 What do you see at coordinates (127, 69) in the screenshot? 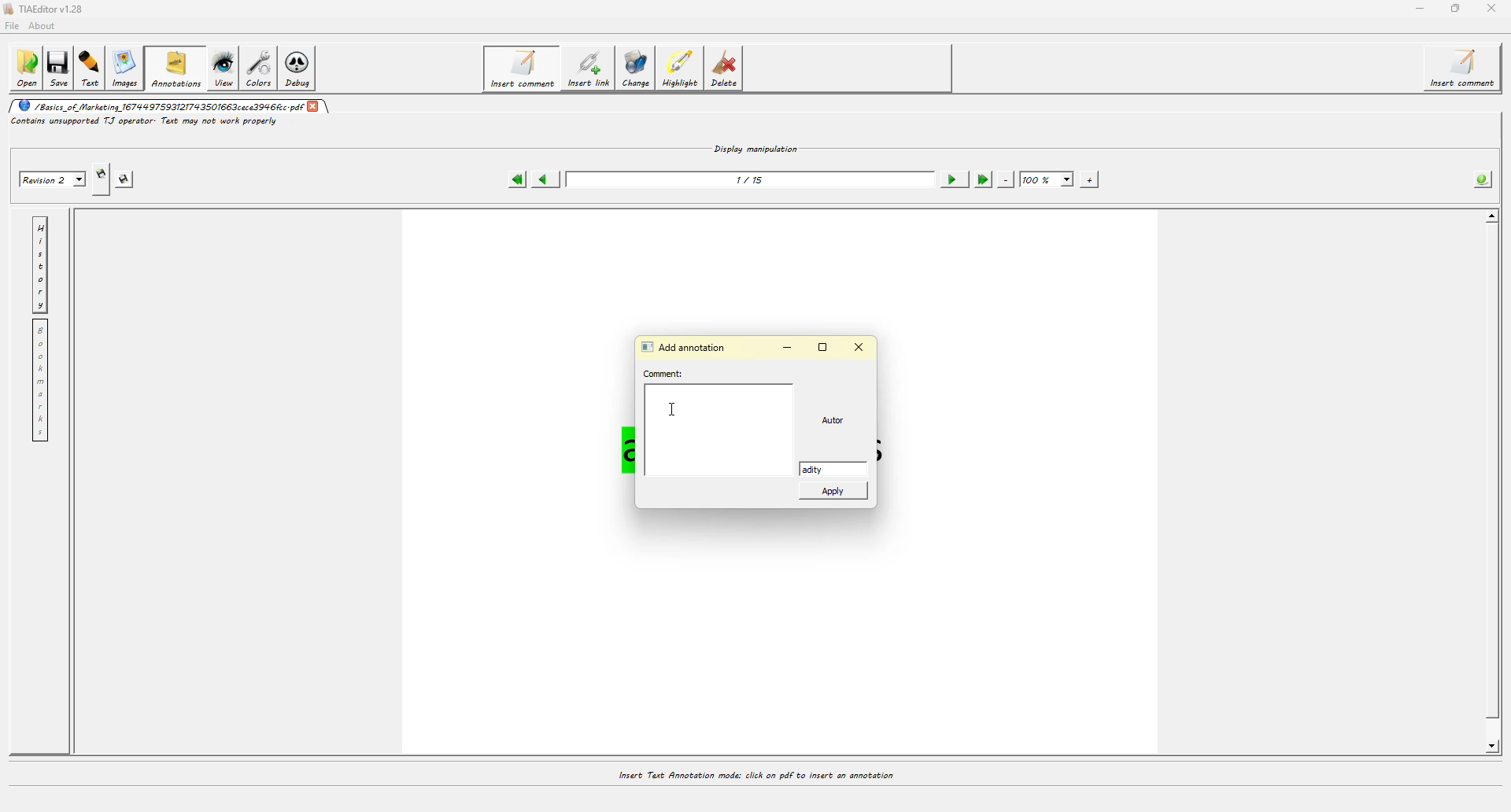
I see `images` at bounding box center [127, 69].